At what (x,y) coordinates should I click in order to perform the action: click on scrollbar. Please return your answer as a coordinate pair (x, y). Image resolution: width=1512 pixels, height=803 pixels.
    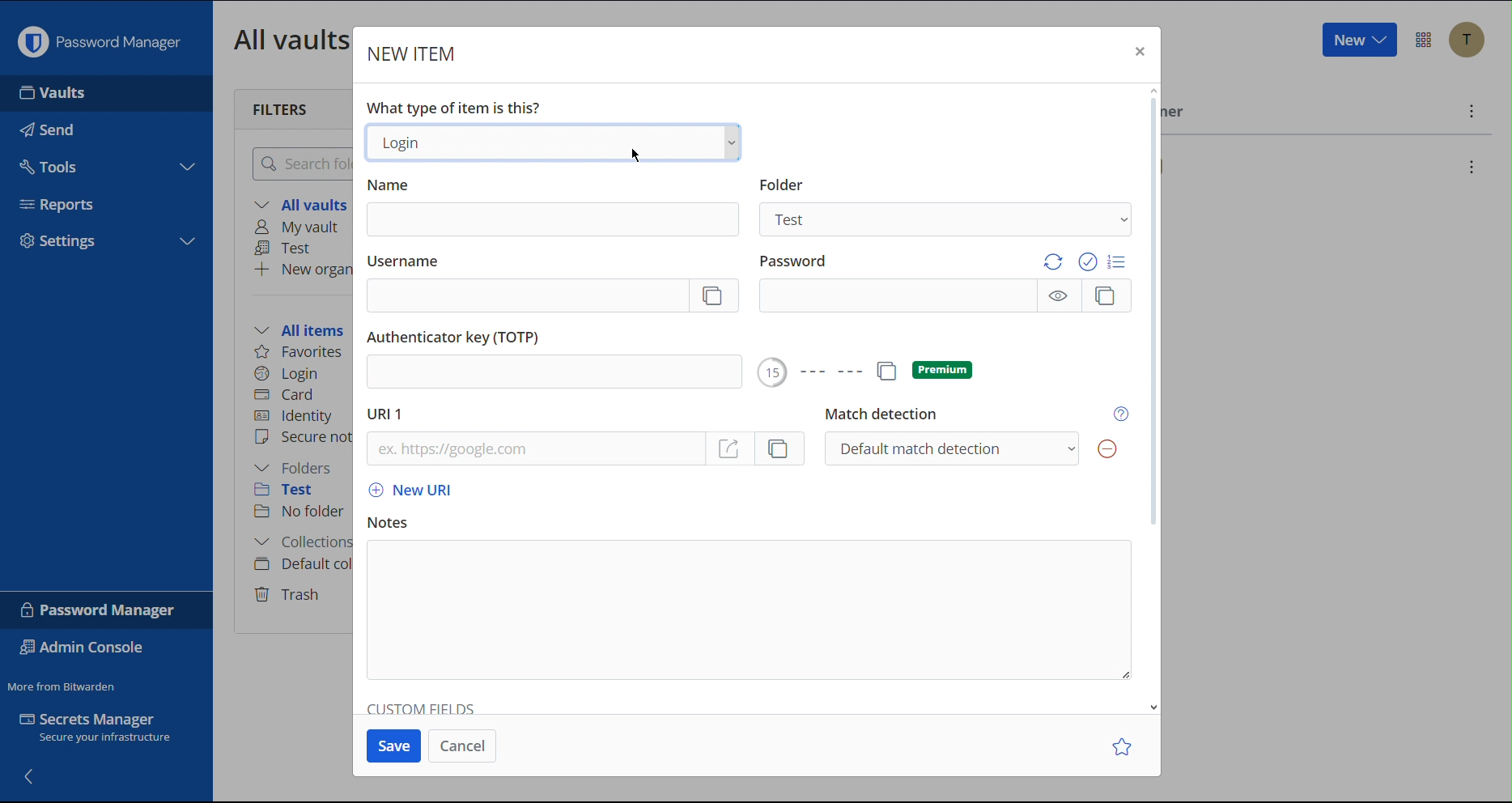
    Looking at the image, I should click on (1153, 311).